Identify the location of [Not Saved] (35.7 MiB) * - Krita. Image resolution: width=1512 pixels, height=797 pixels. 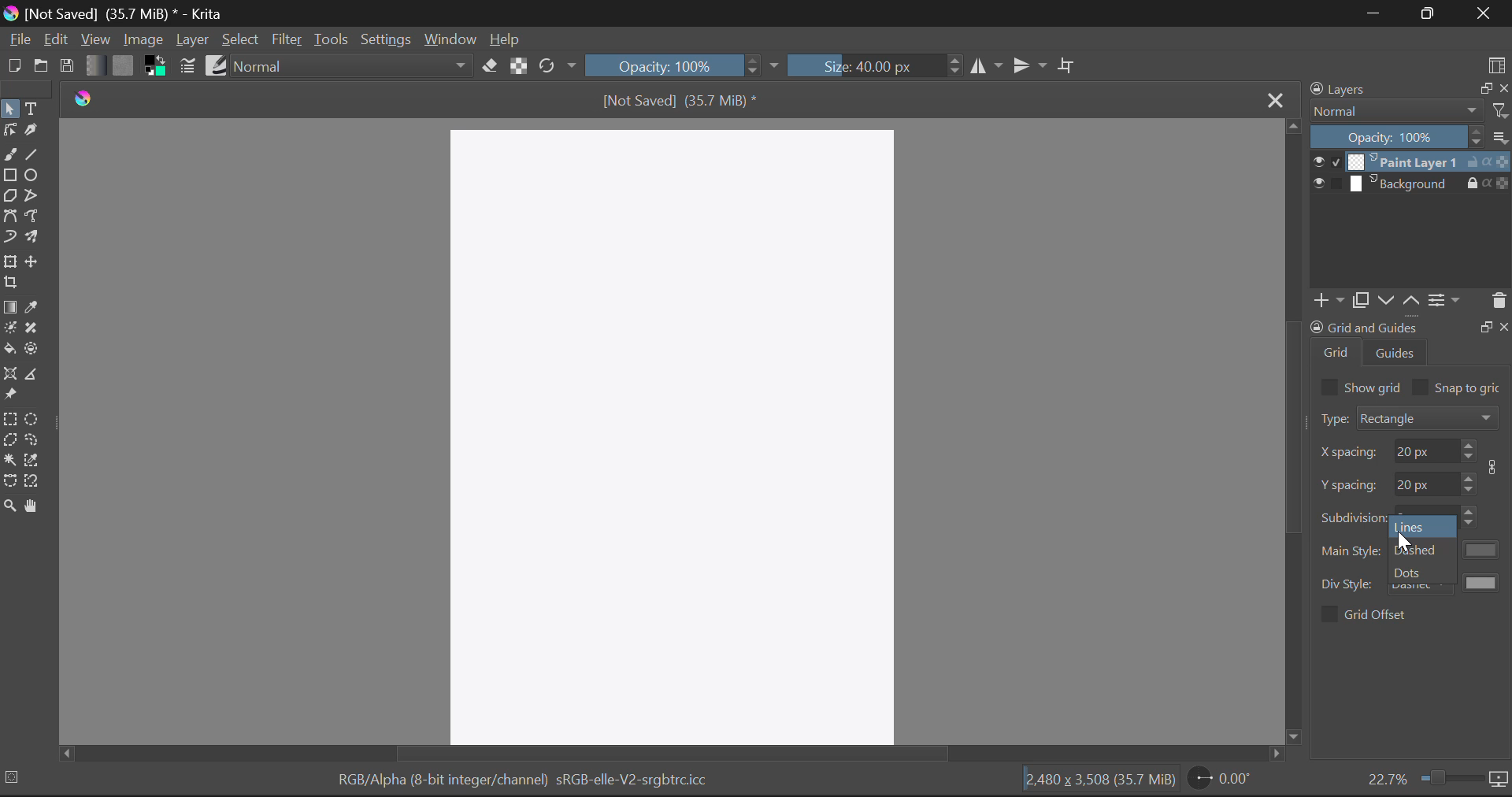
(115, 13).